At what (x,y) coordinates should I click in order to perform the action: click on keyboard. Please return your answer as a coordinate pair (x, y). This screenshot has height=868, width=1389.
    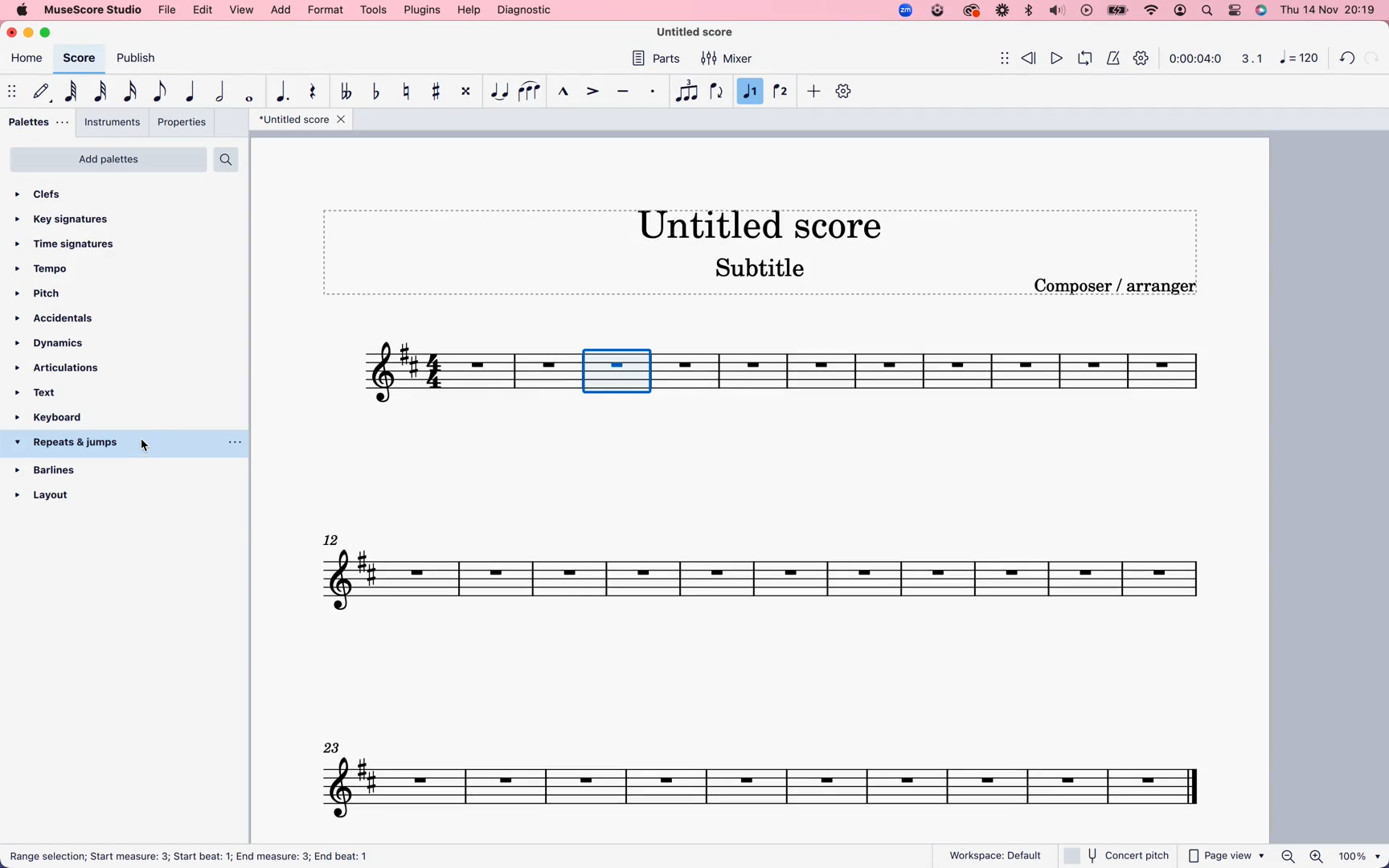
    Looking at the image, I should click on (66, 417).